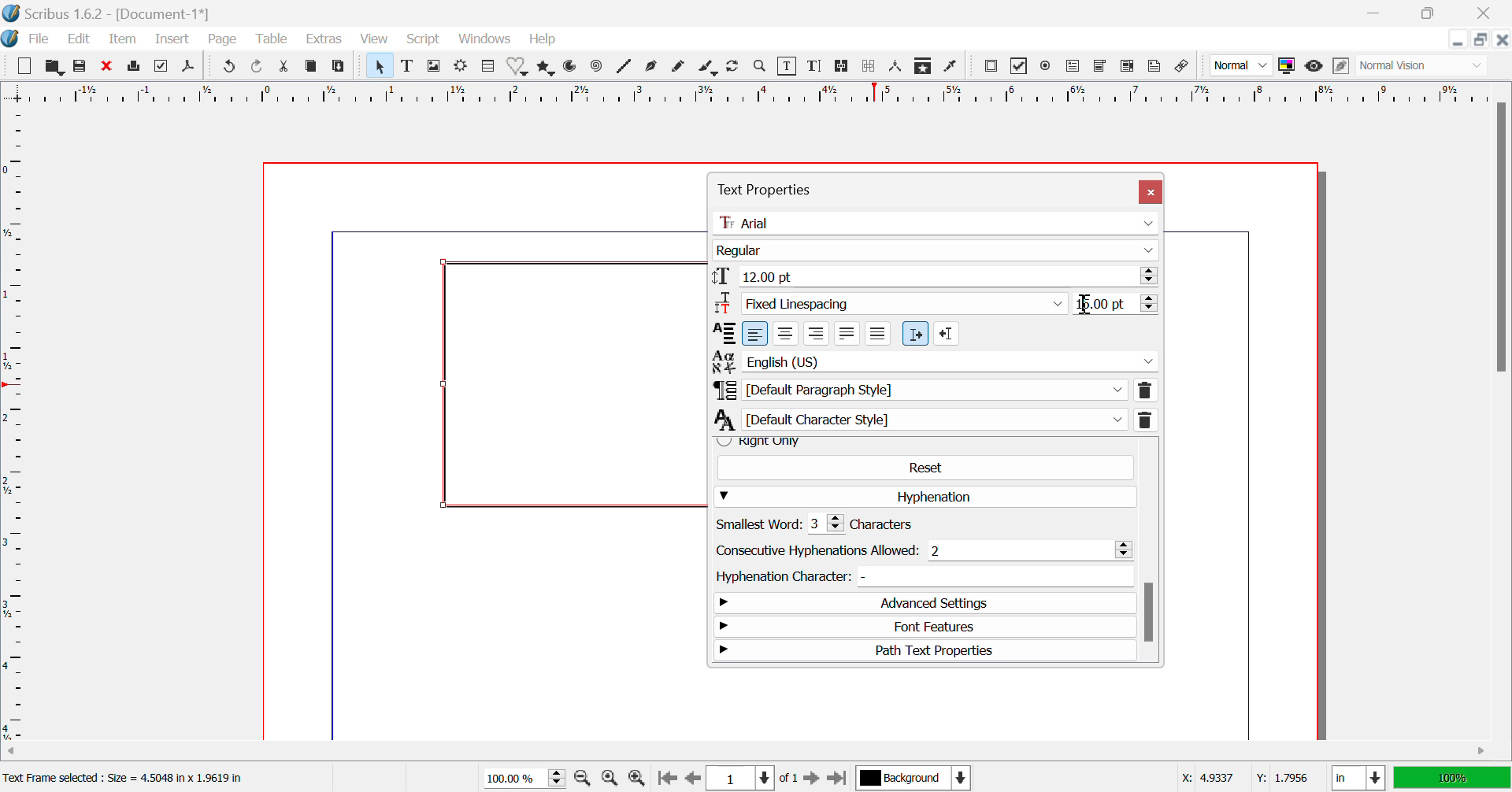 The width and height of the screenshot is (1512, 792). Describe the element at coordinates (1314, 68) in the screenshot. I see `Preview Mode` at that location.